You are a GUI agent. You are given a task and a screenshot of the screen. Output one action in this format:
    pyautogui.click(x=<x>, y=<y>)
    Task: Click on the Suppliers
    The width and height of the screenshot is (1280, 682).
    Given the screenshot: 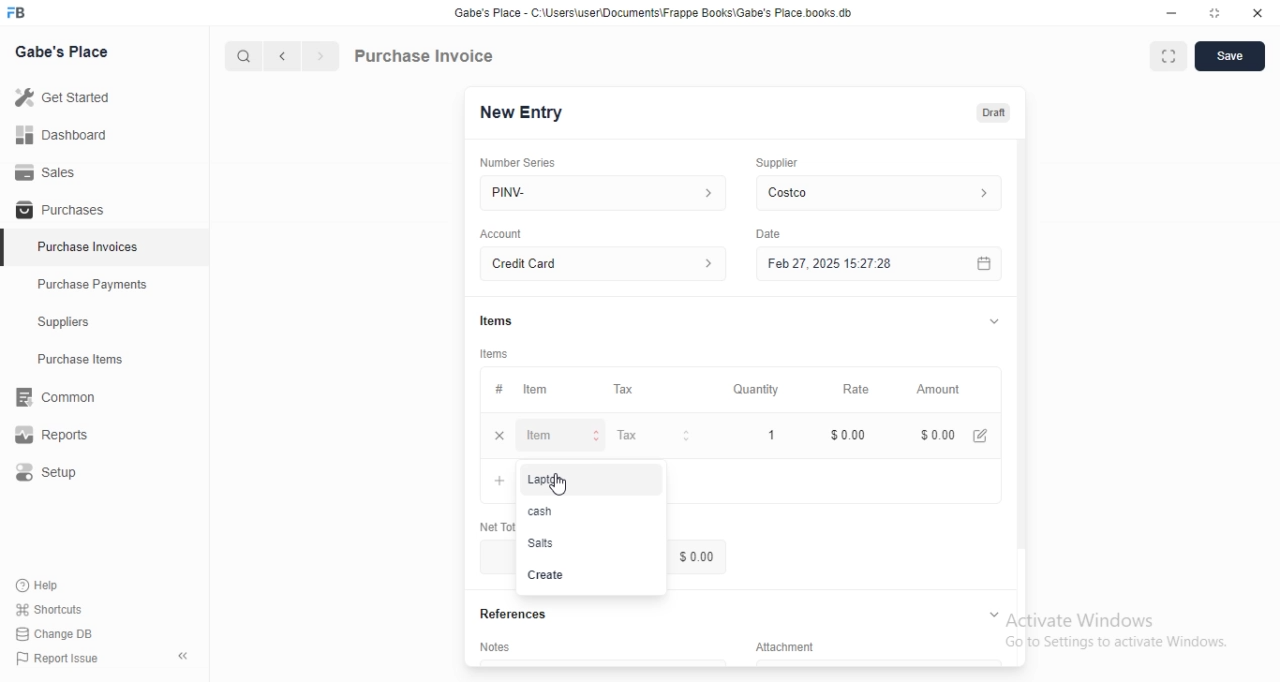 What is the action you would take?
    pyautogui.click(x=104, y=321)
    